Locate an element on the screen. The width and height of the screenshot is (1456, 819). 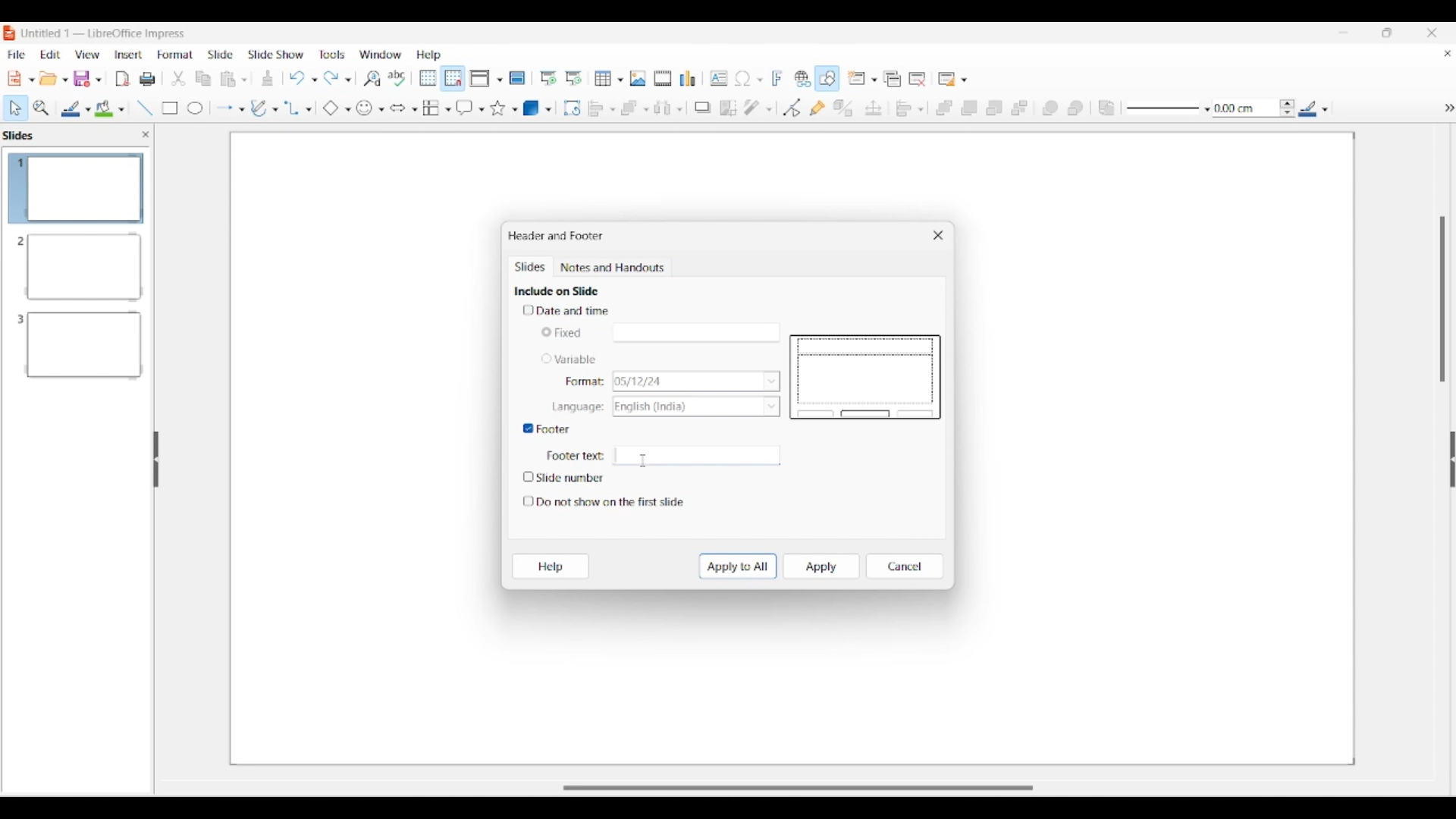
Insert textbox is located at coordinates (719, 78).